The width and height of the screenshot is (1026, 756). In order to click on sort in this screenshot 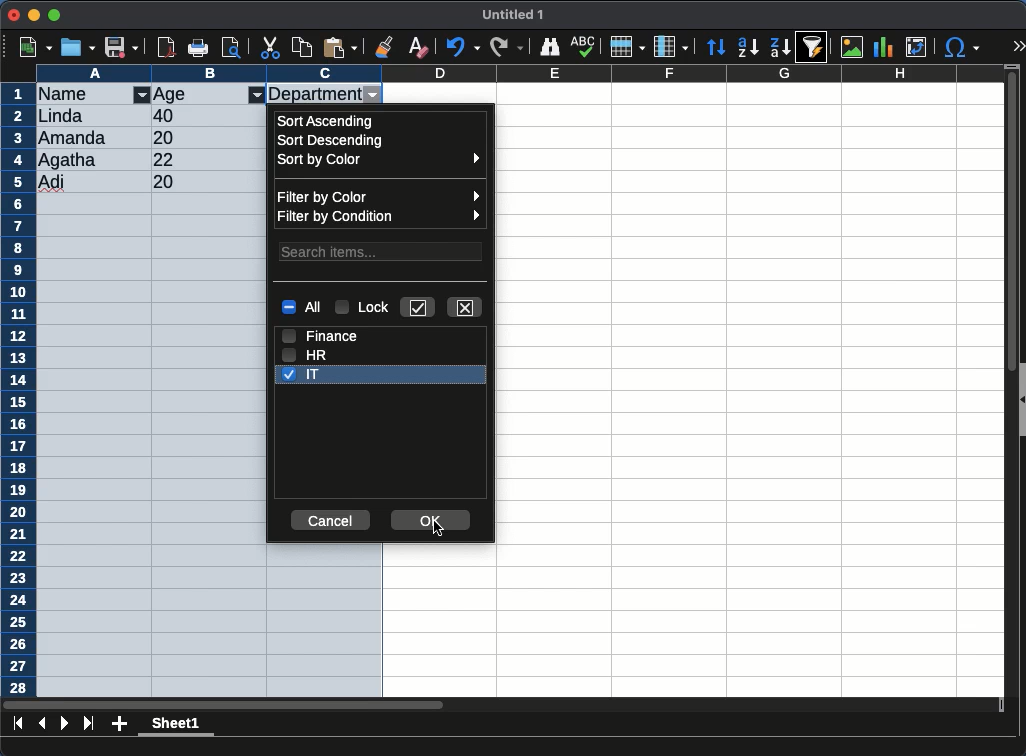, I will do `click(816, 47)`.